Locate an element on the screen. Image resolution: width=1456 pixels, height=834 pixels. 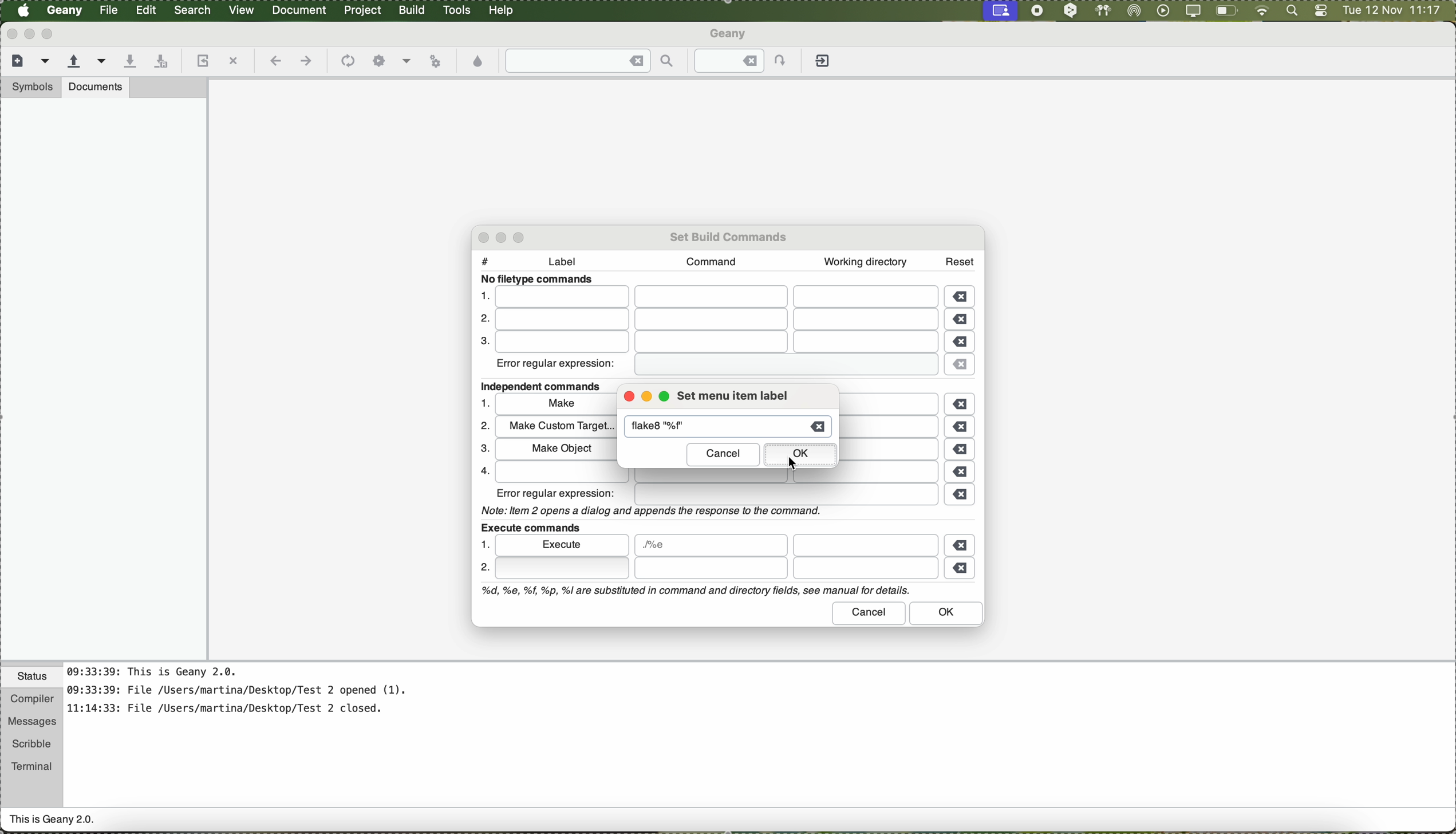
date and hour is located at coordinates (1392, 11).